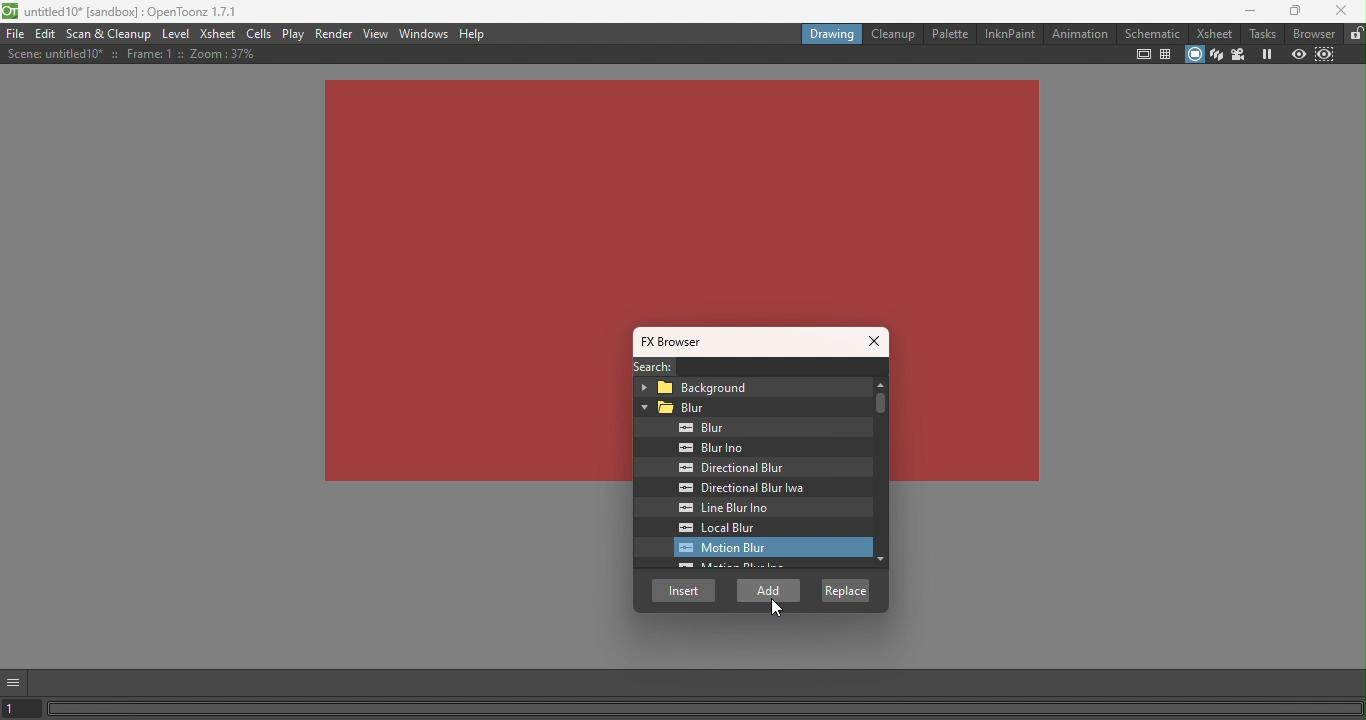 Image resolution: width=1366 pixels, height=720 pixels. I want to click on Safe area, so click(1143, 54).